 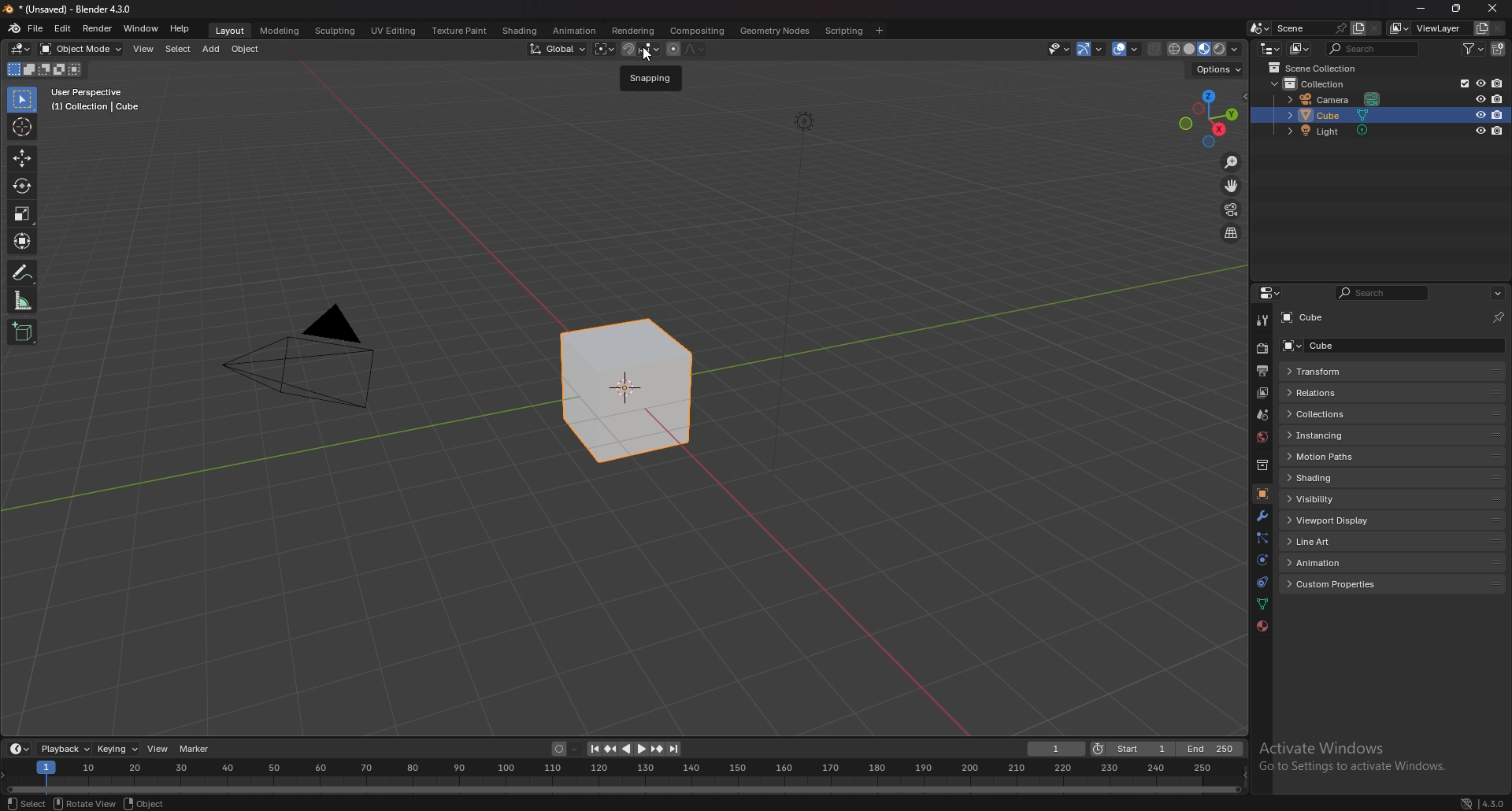 What do you see at coordinates (1499, 114) in the screenshot?
I see `disable in renders` at bounding box center [1499, 114].